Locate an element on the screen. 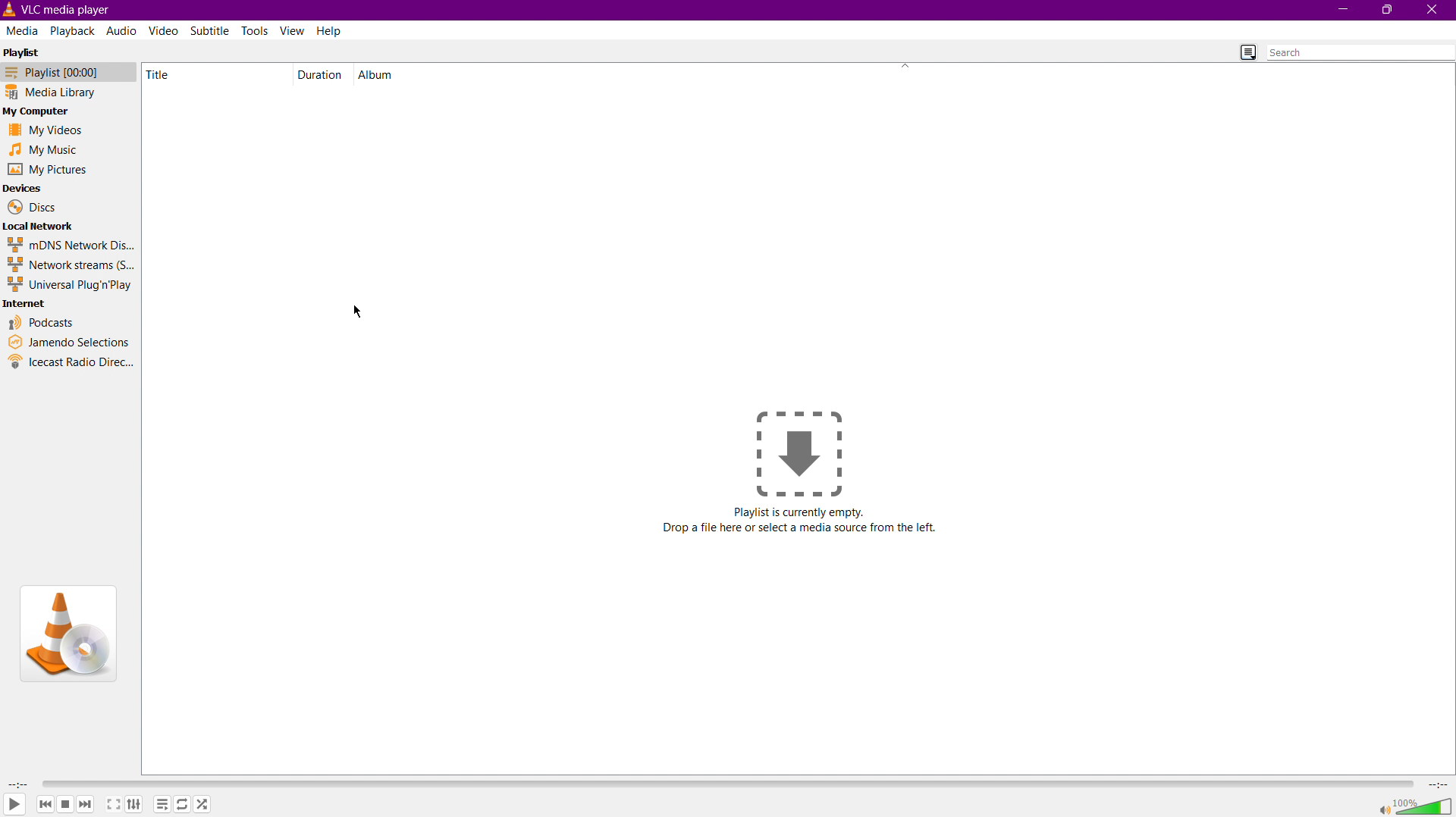 The image size is (1456, 817). Discs is located at coordinates (29, 207).